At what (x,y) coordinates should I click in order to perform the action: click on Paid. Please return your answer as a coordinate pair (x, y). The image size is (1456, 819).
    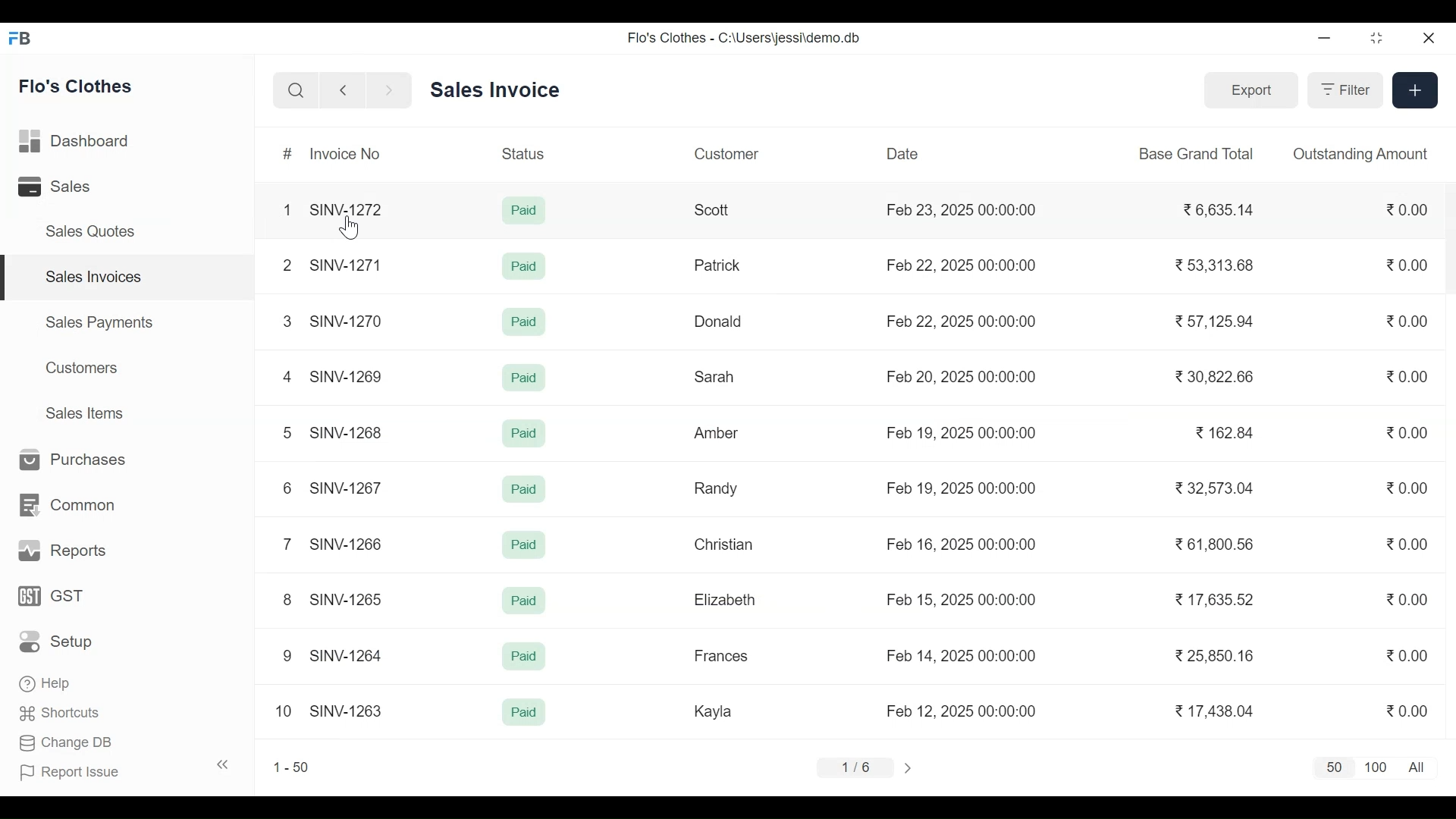
    Looking at the image, I should click on (526, 211).